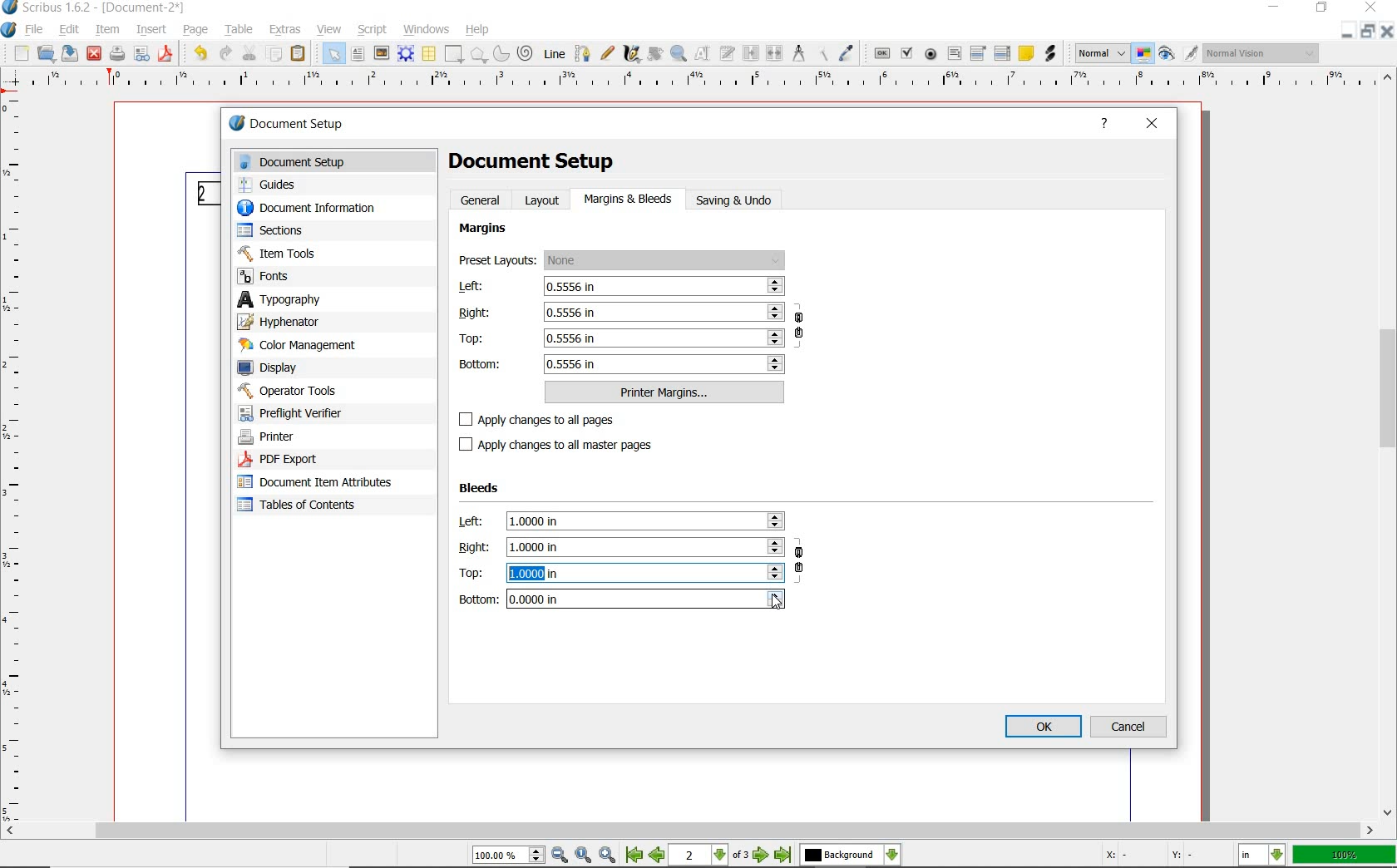 The height and width of the screenshot is (868, 1397). What do you see at coordinates (634, 856) in the screenshot?
I see `First Page` at bounding box center [634, 856].